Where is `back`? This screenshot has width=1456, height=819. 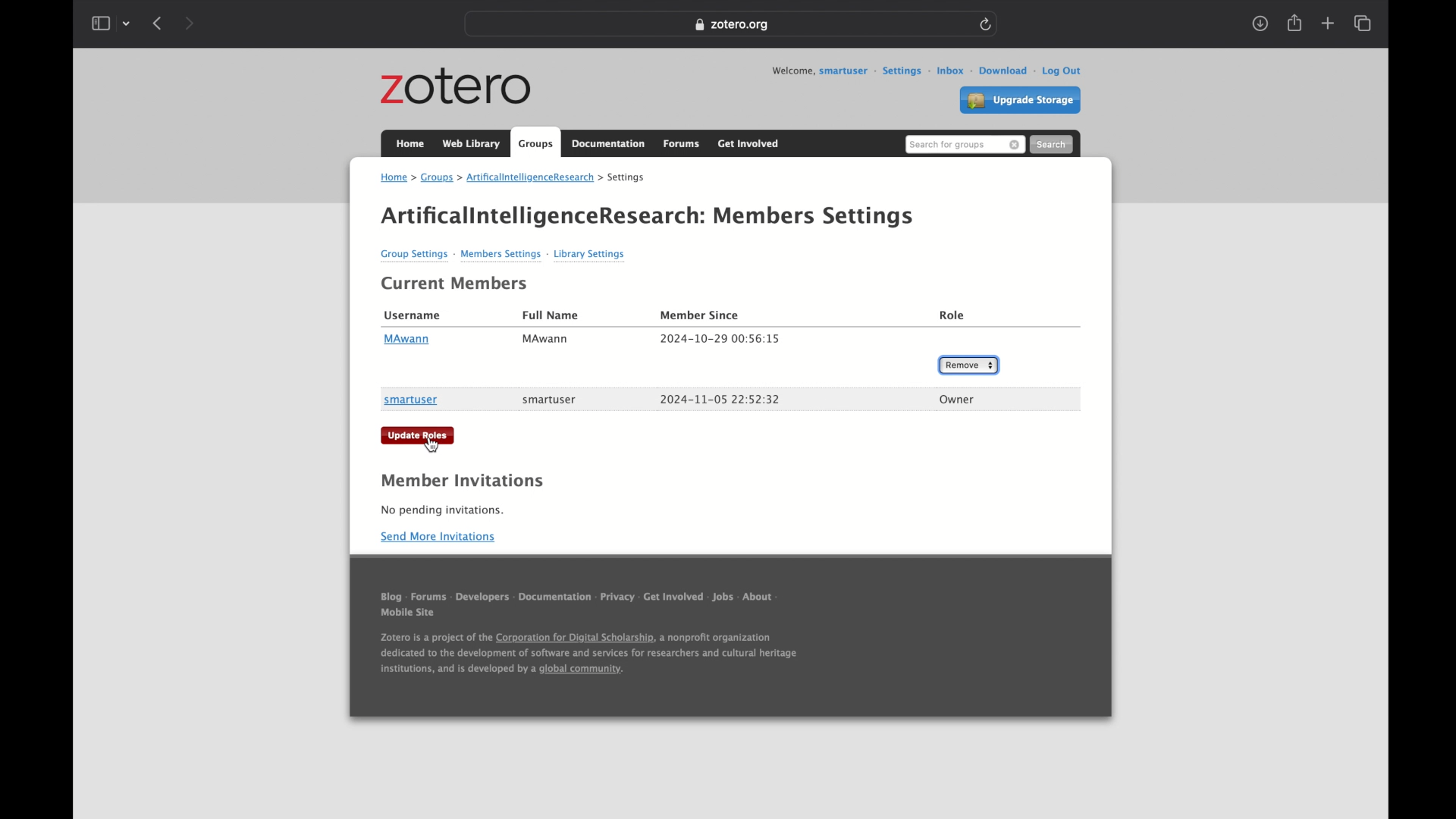 back is located at coordinates (157, 23).